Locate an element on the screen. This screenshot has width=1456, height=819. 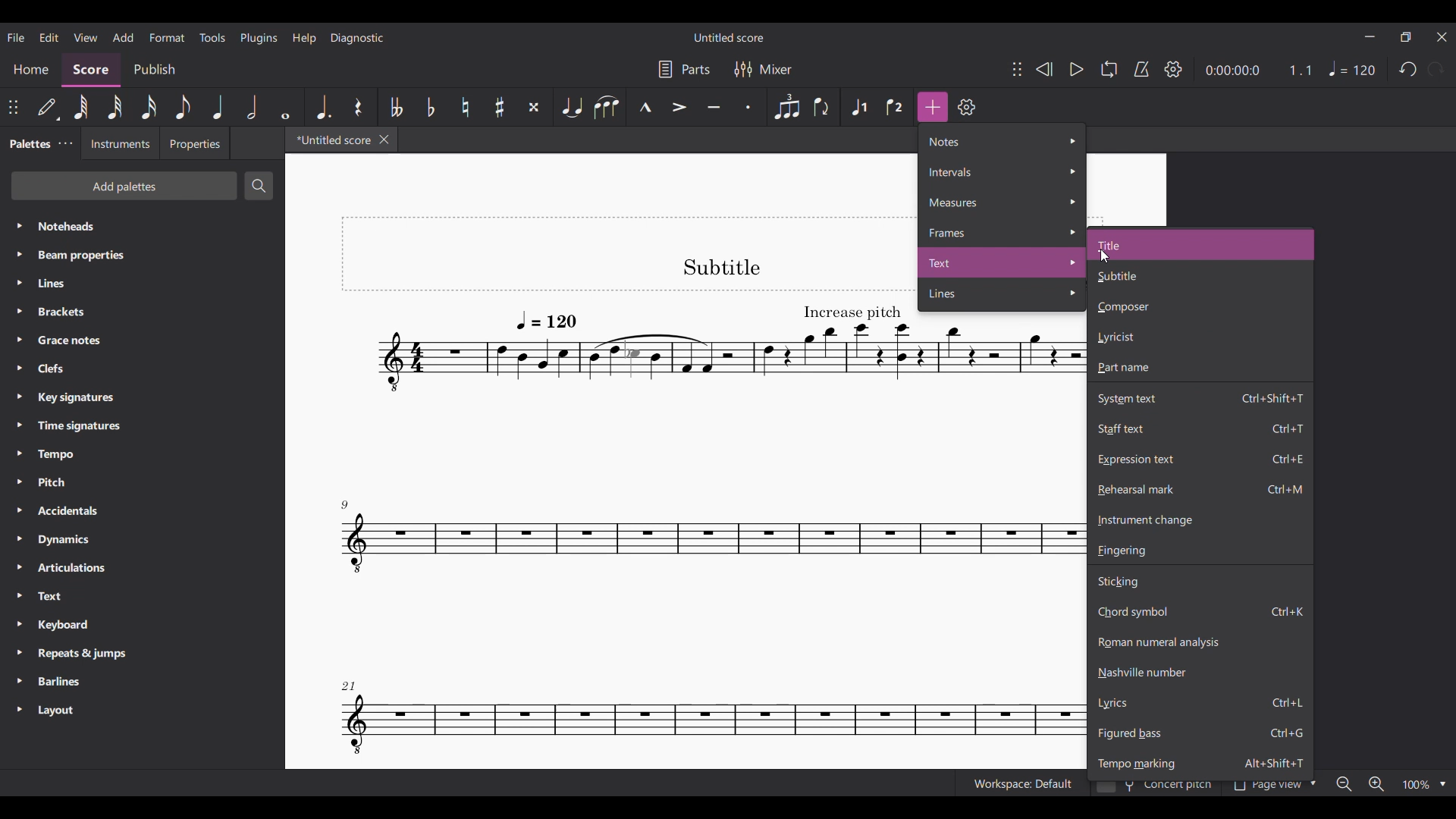
Rest is located at coordinates (359, 107).